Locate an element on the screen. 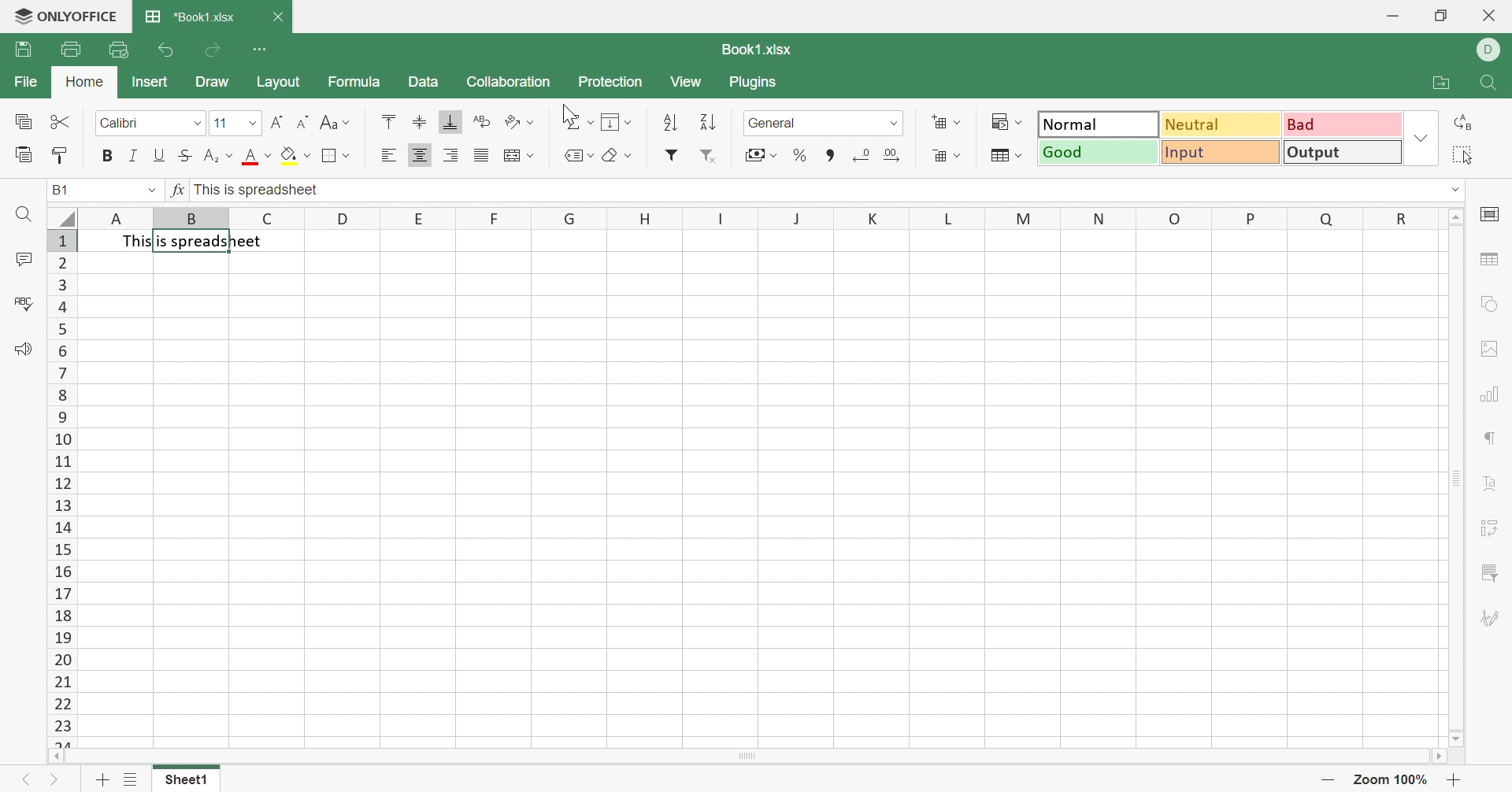 Image resolution: width=1512 pixels, height=792 pixels. Conditional formatting is located at coordinates (997, 118).